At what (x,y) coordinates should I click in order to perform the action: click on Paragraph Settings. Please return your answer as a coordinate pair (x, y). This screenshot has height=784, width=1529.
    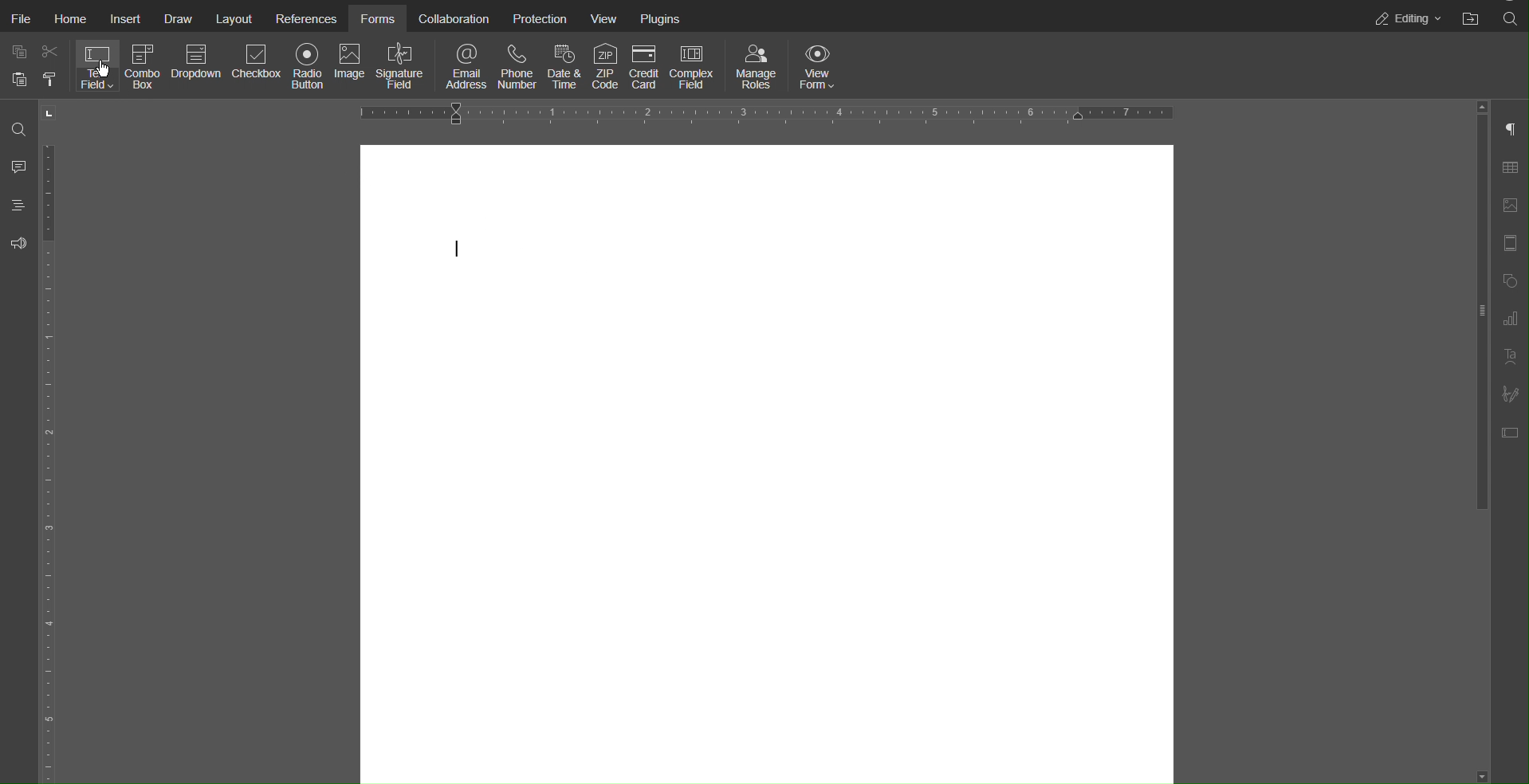
    Looking at the image, I should click on (1511, 129).